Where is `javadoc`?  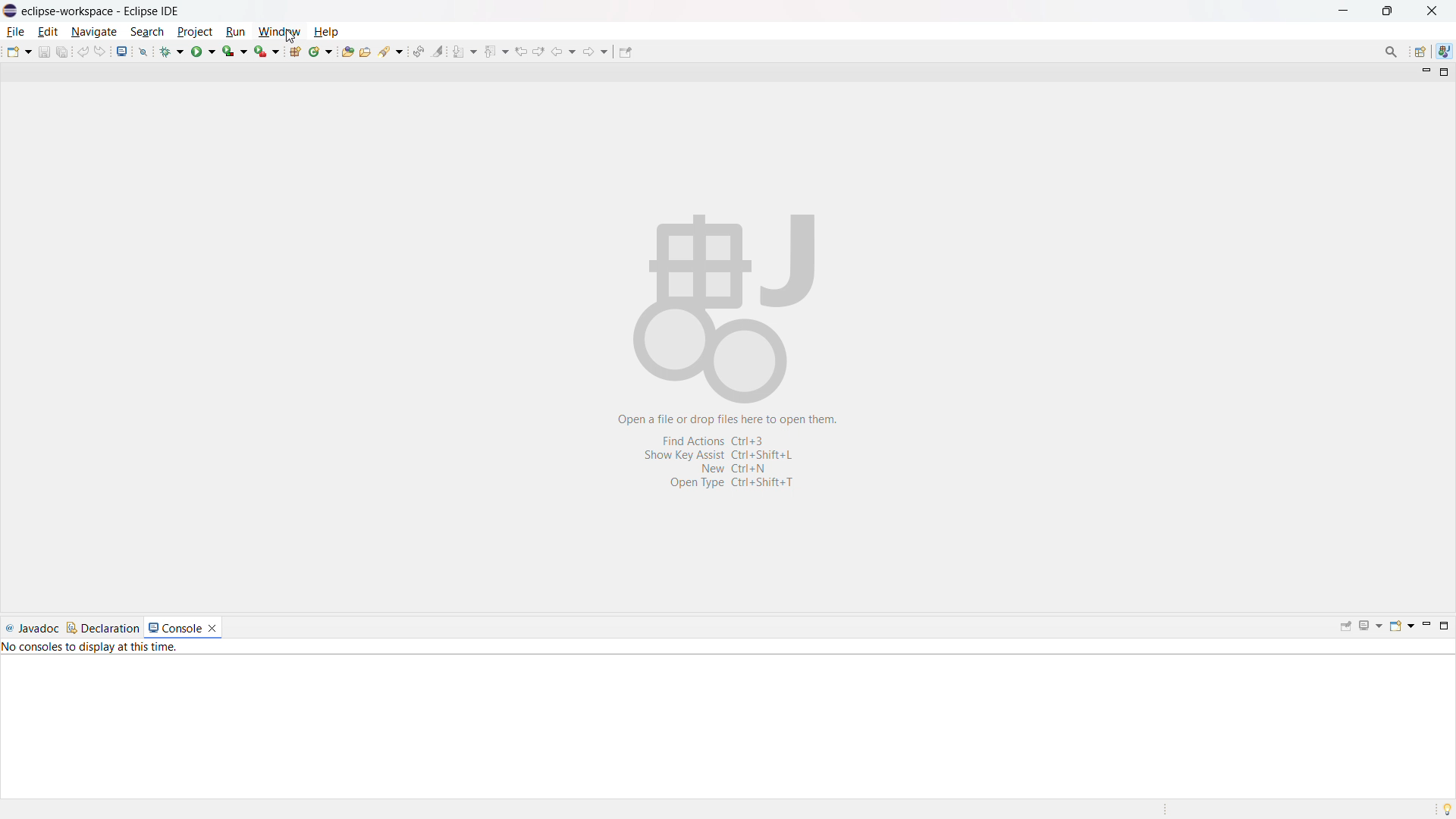 javadoc is located at coordinates (32, 629).